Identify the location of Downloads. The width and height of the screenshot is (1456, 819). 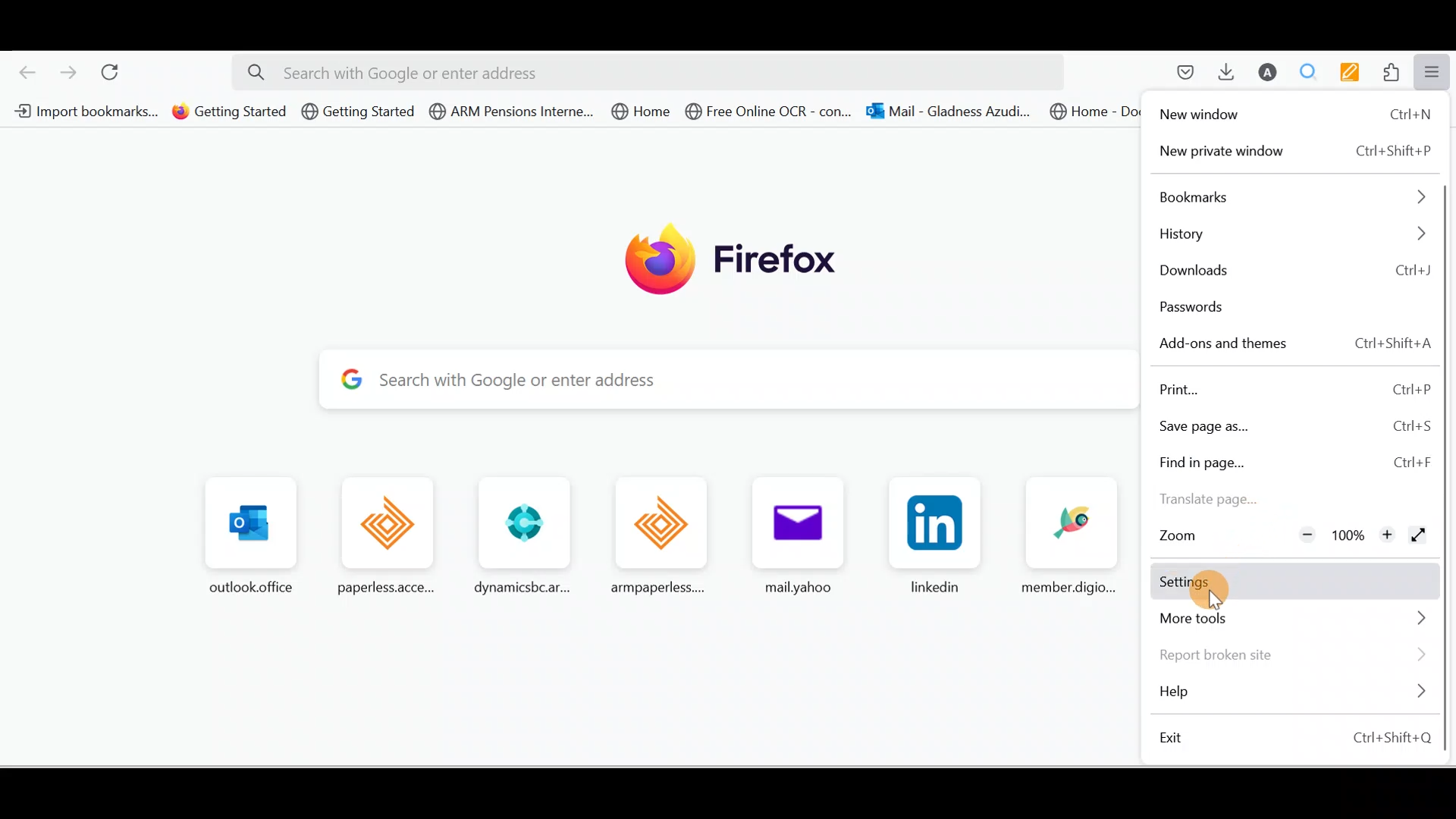
(1222, 71).